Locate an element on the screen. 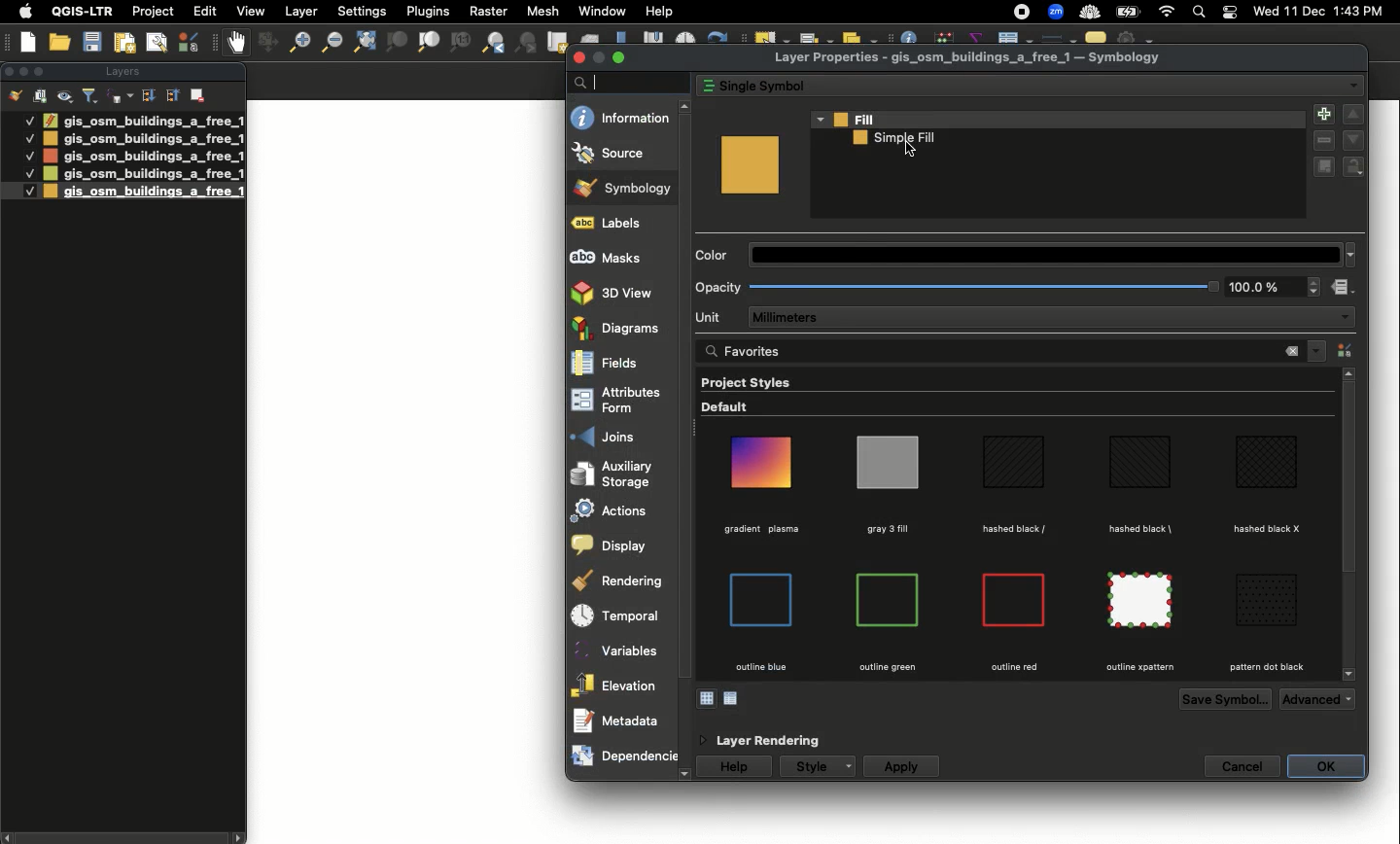 The image size is (1400, 844).  is located at coordinates (1138, 460).